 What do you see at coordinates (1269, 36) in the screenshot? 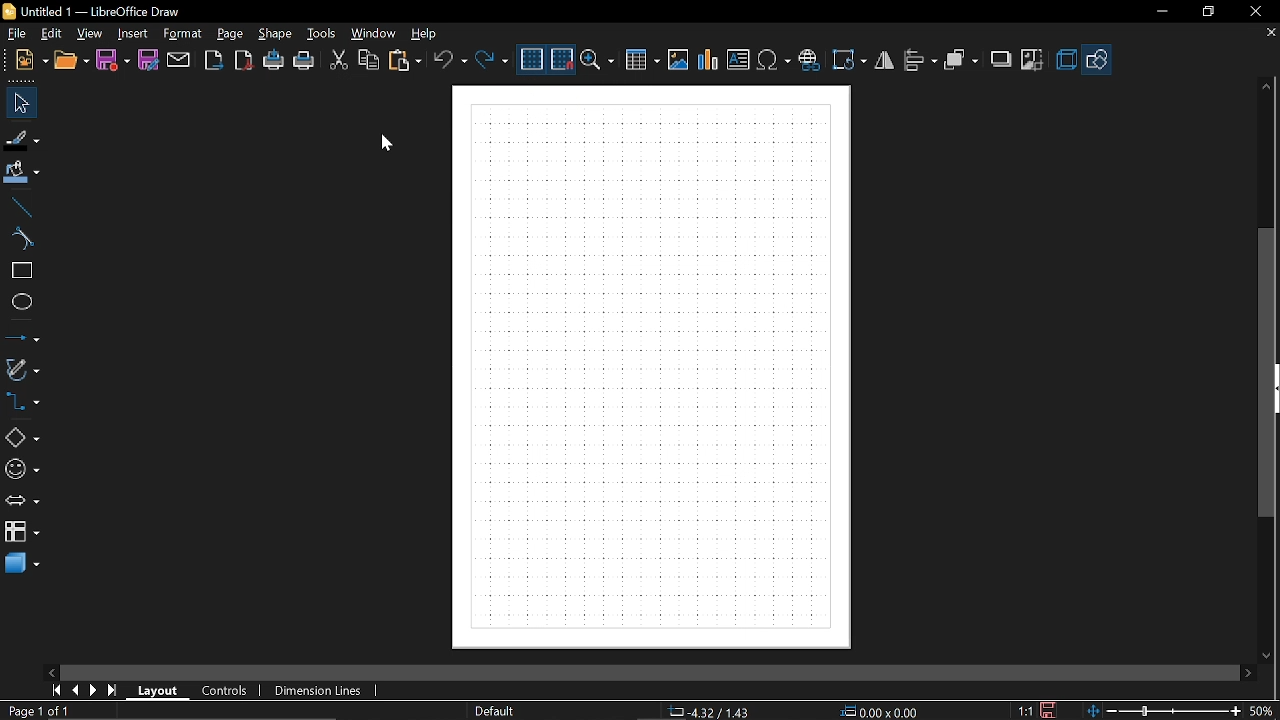
I see `Close tab` at bounding box center [1269, 36].